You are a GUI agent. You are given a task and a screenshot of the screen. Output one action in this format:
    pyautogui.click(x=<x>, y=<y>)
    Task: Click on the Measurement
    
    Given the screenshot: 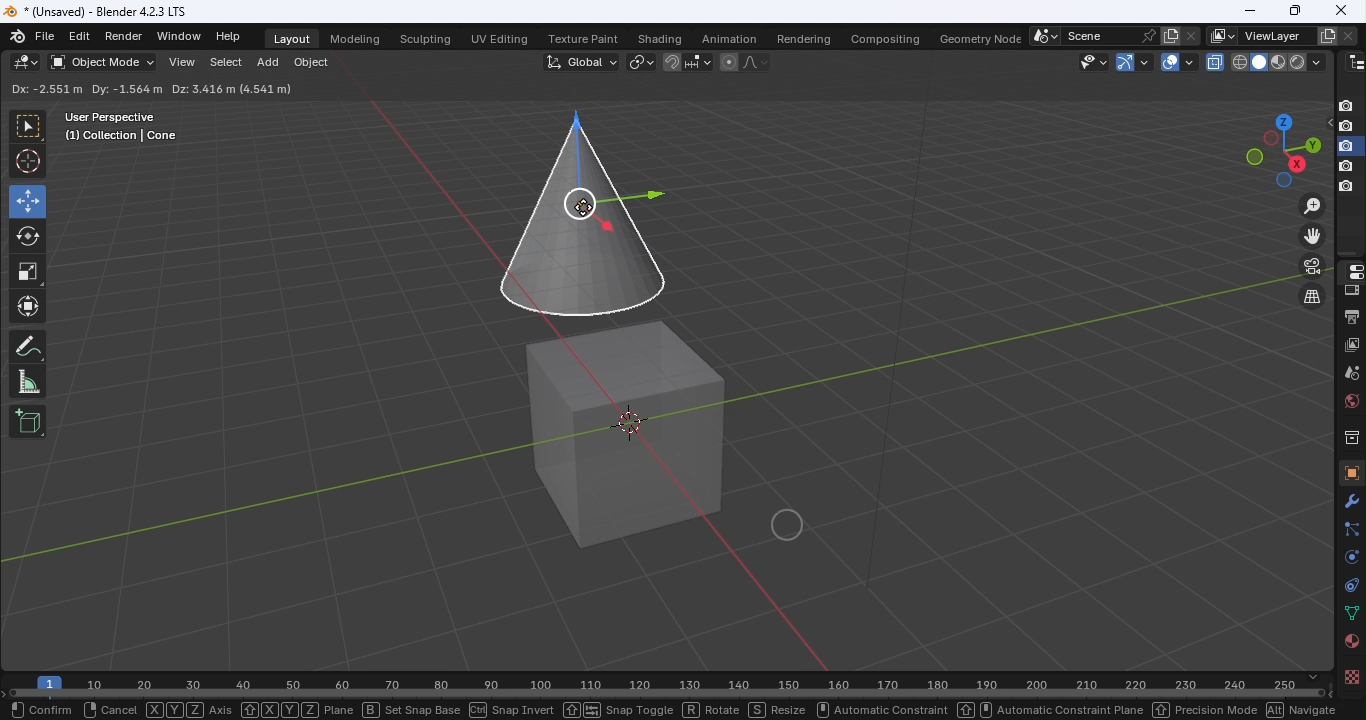 What is the action you would take?
    pyautogui.click(x=28, y=383)
    